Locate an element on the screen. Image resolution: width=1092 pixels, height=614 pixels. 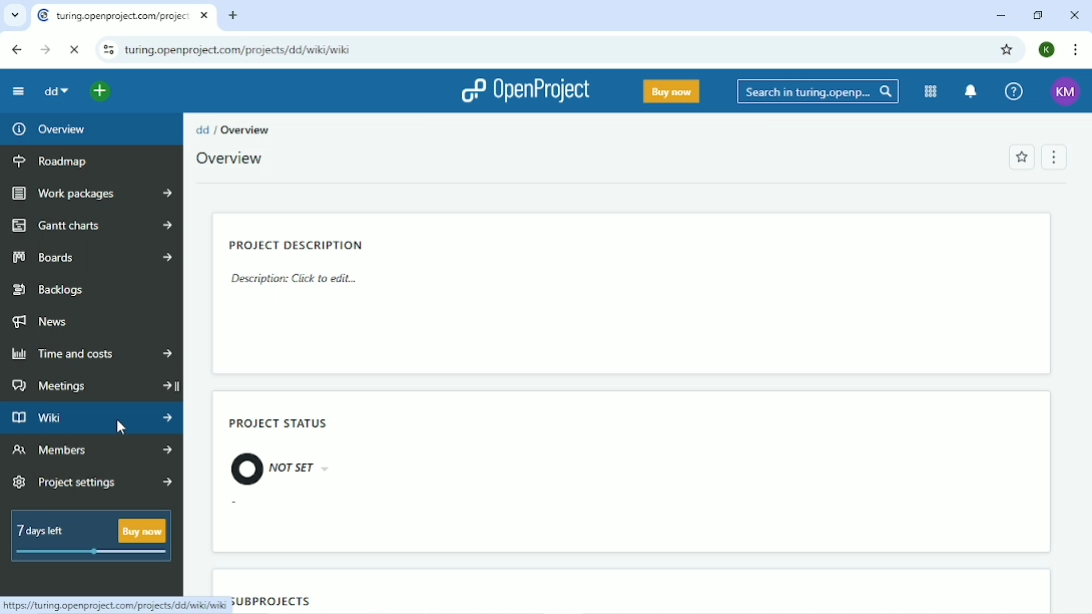
buy now  is located at coordinates (142, 531).